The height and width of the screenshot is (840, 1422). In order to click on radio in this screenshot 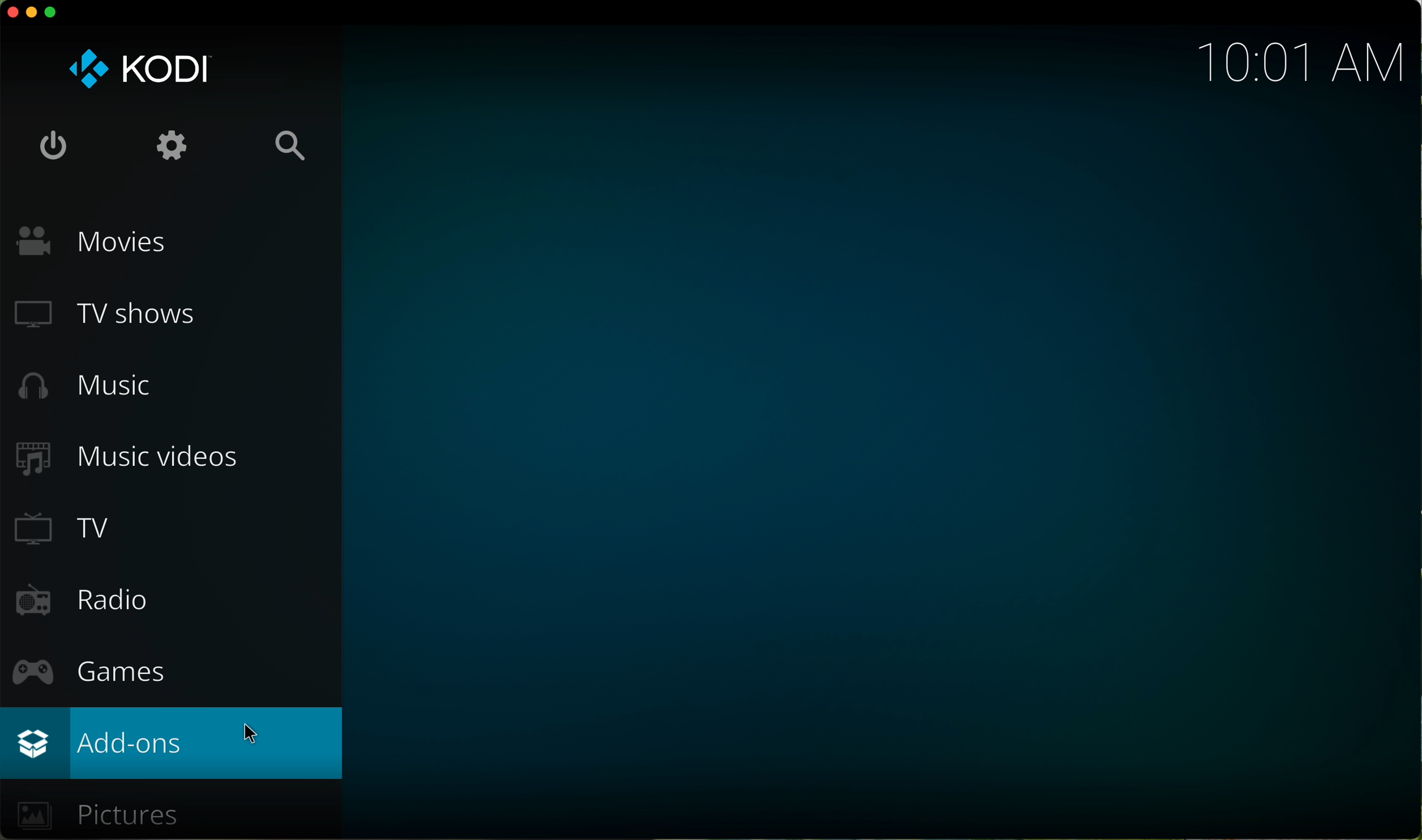, I will do `click(83, 600)`.